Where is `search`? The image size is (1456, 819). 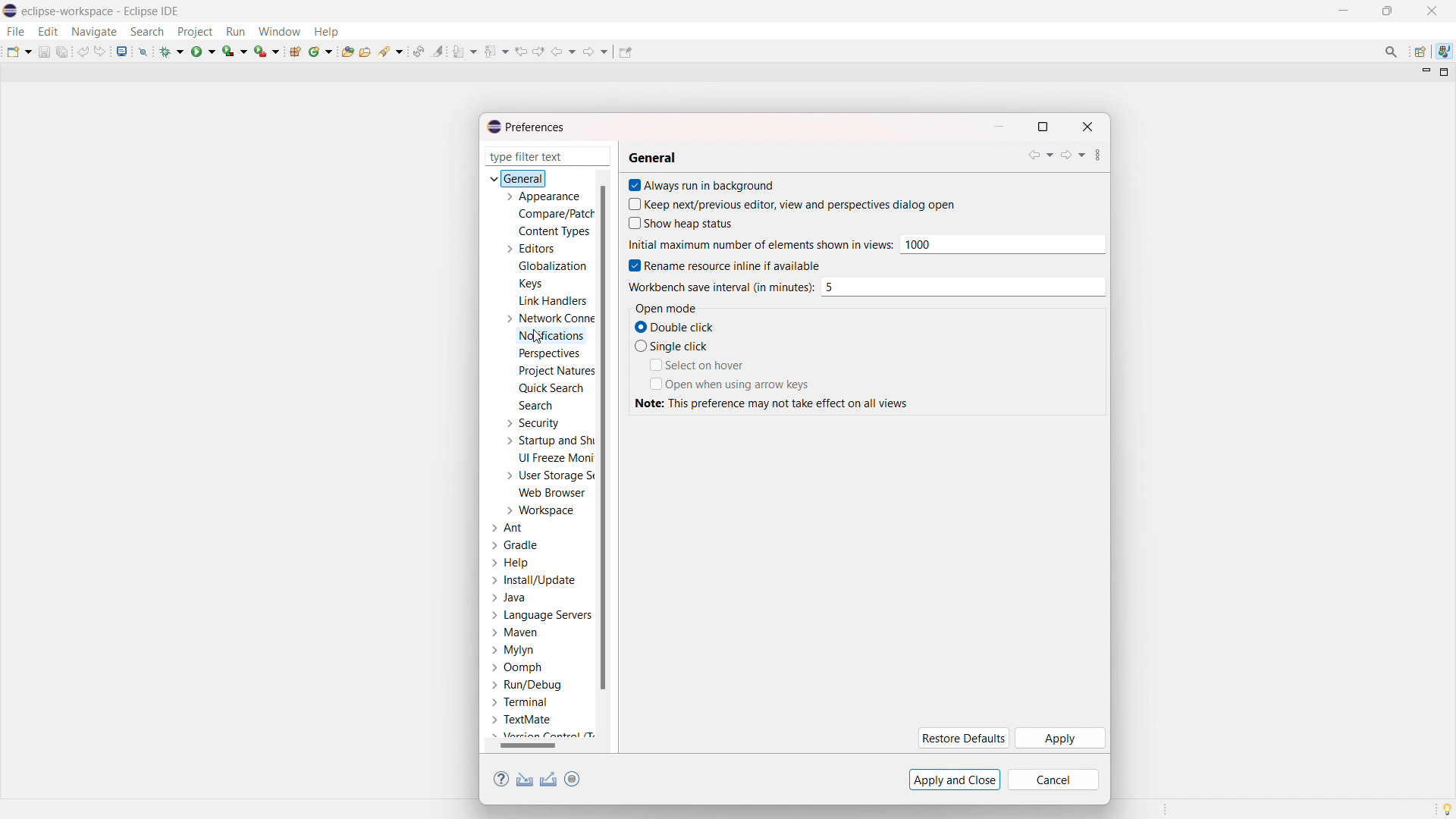 search is located at coordinates (147, 32).